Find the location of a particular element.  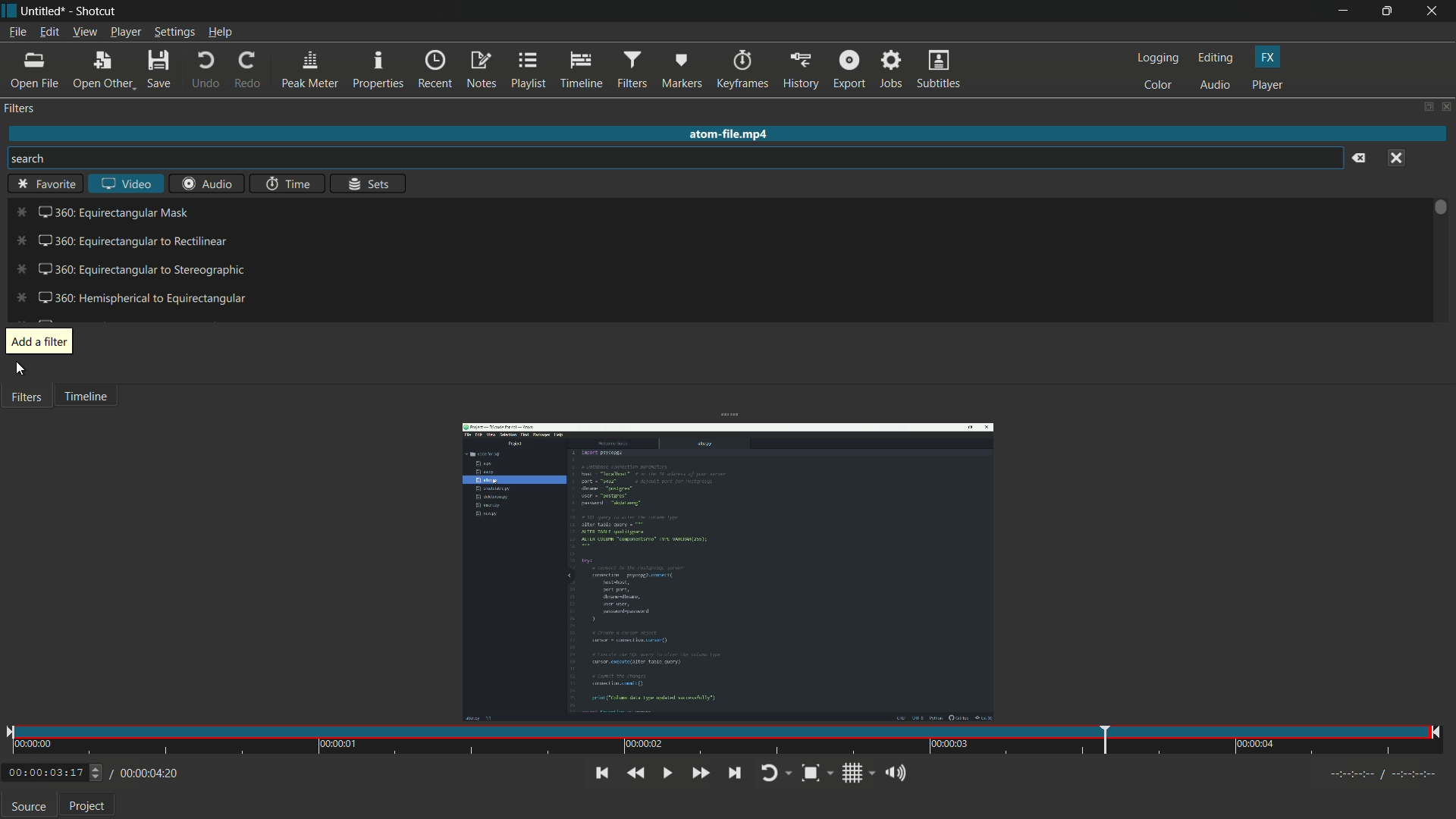

file menu is located at coordinates (19, 33).